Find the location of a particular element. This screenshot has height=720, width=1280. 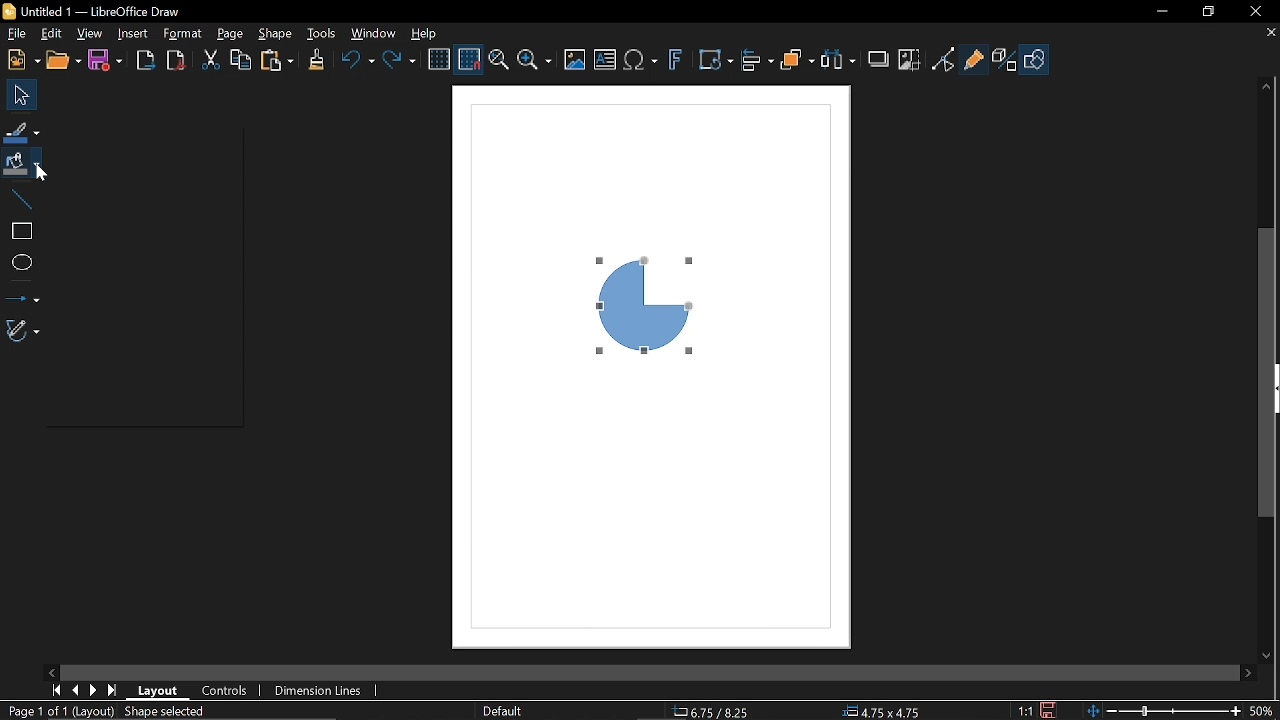

Quarter circle (Current diagram) is located at coordinates (656, 300).